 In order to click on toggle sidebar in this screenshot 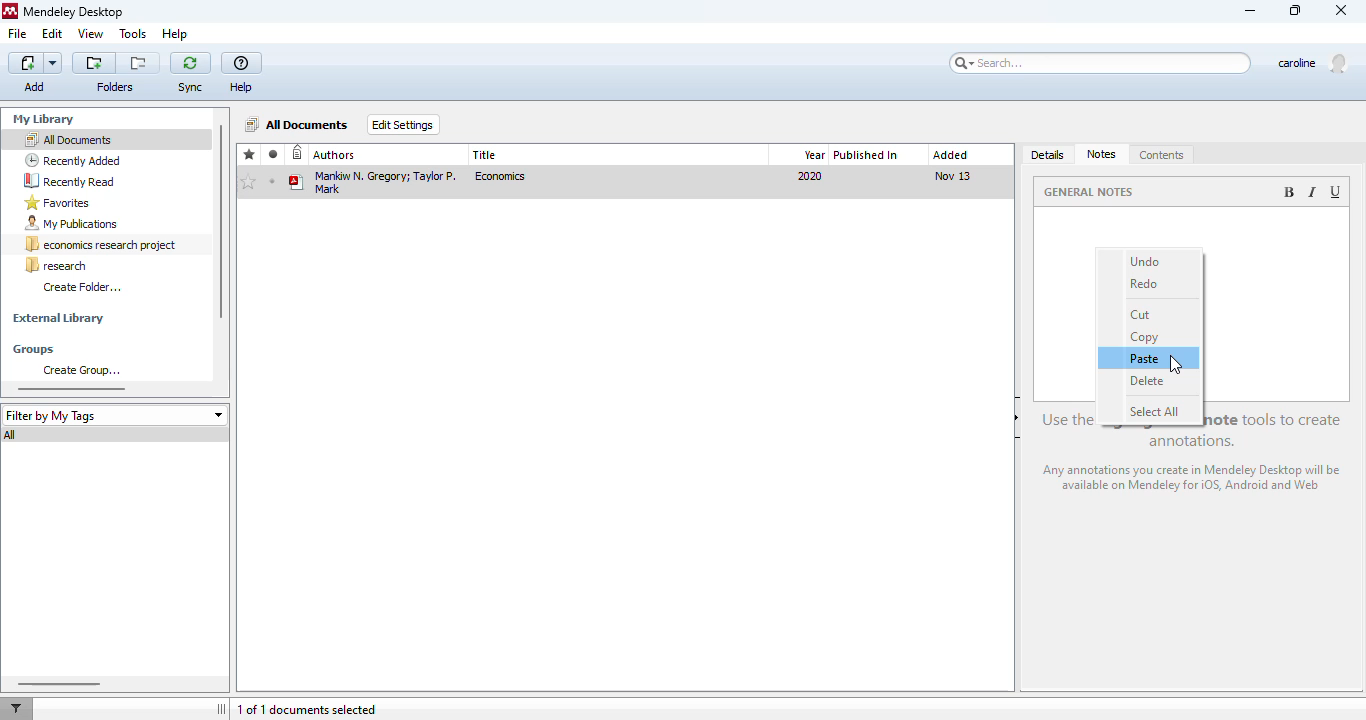, I will do `click(223, 709)`.